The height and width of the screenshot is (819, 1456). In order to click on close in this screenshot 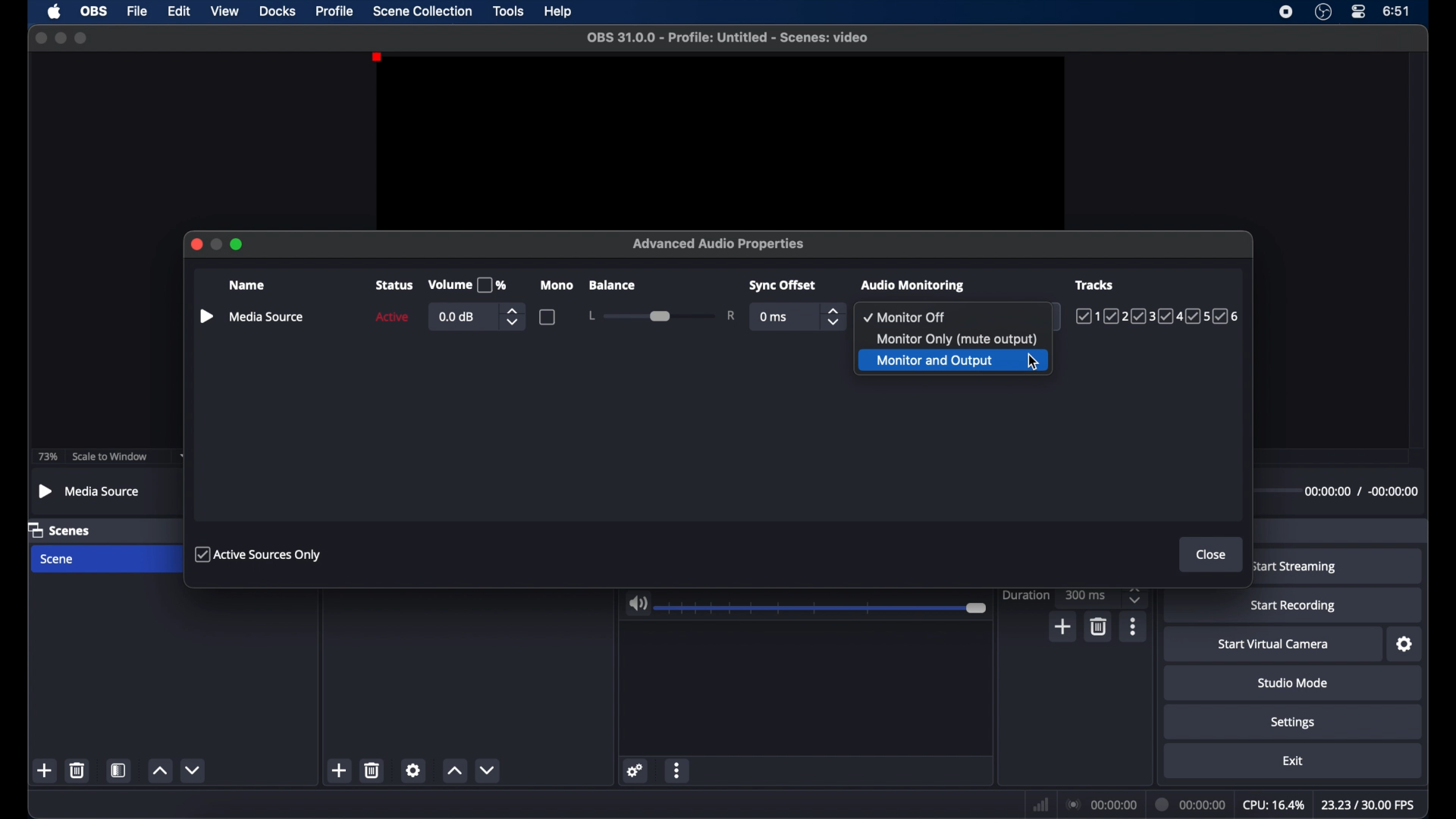, I will do `click(194, 244)`.